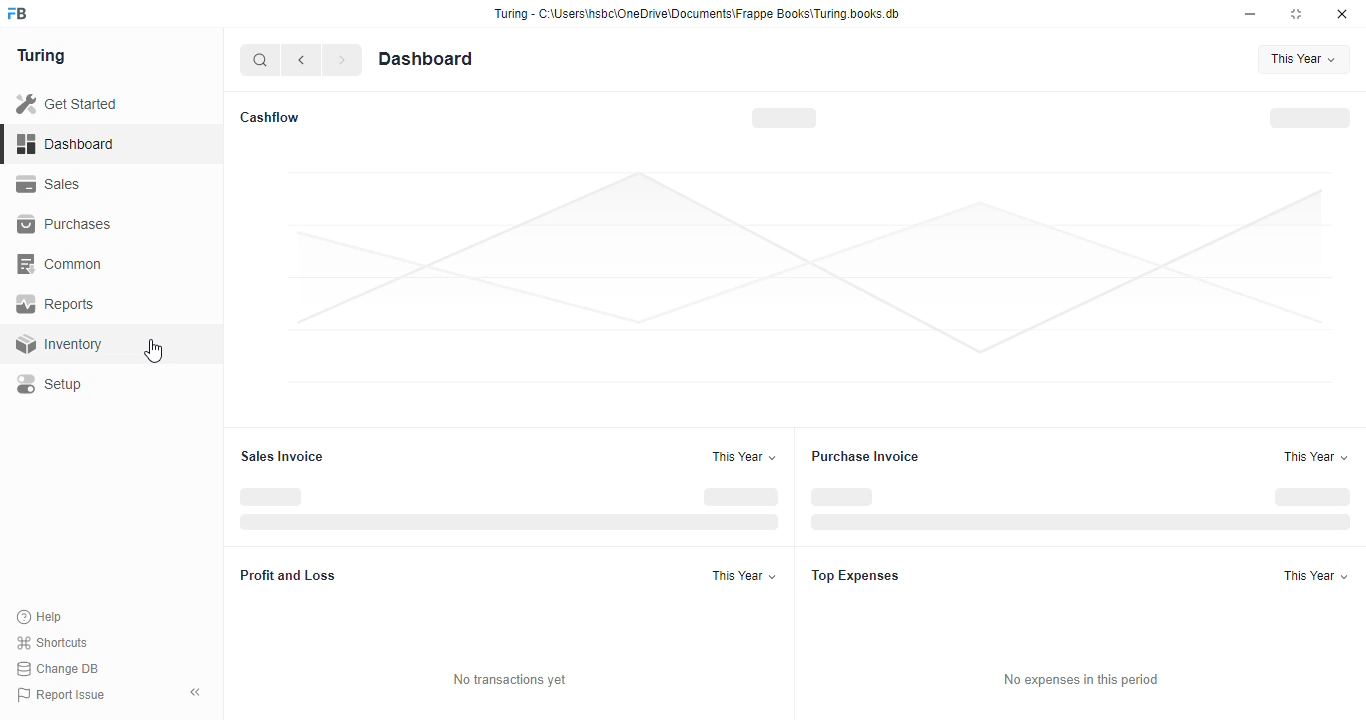  I want to click on dashboard, so click(426, 59).